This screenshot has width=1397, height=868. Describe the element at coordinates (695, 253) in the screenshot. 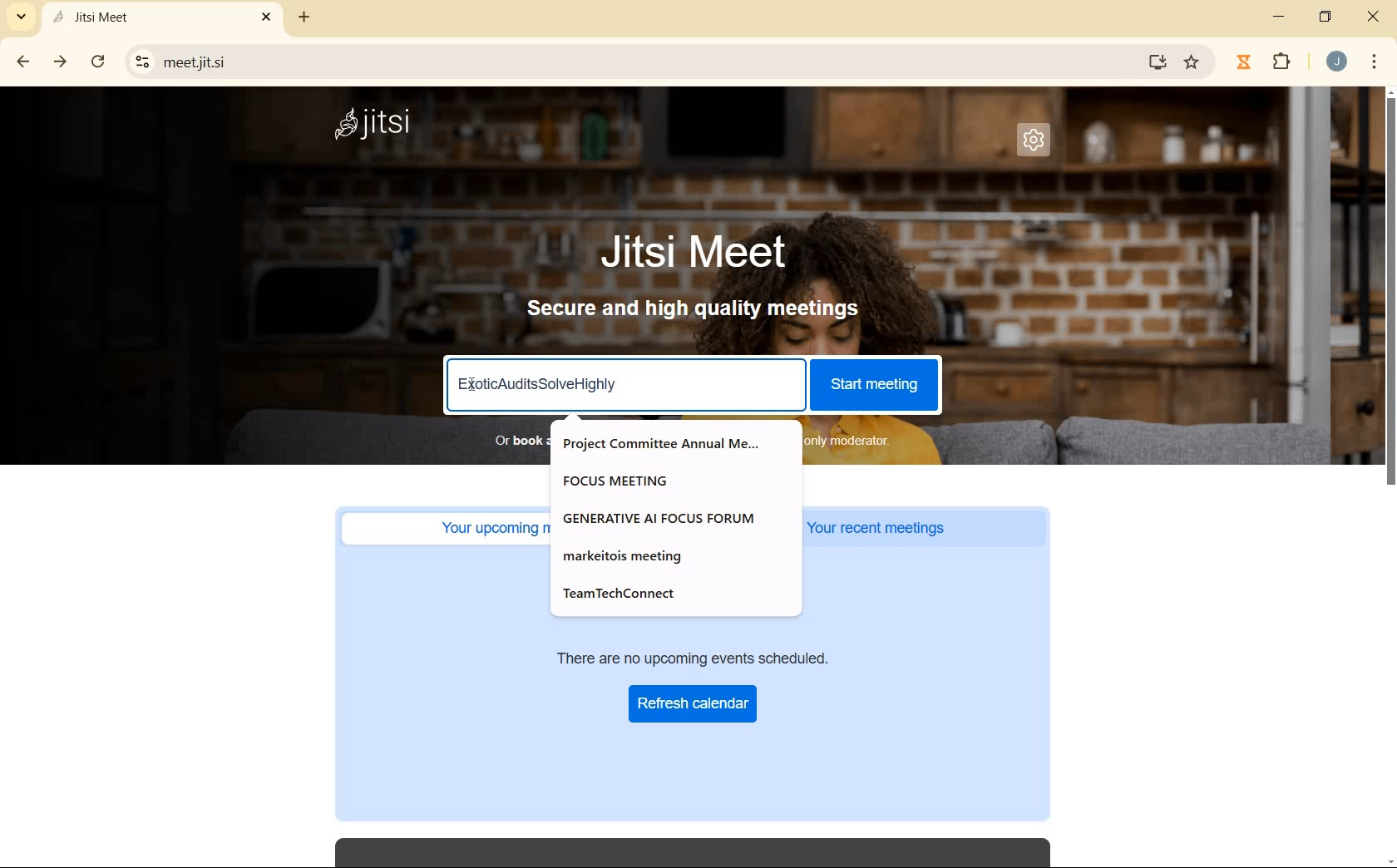

I see `Jitsi Meet` at that location.